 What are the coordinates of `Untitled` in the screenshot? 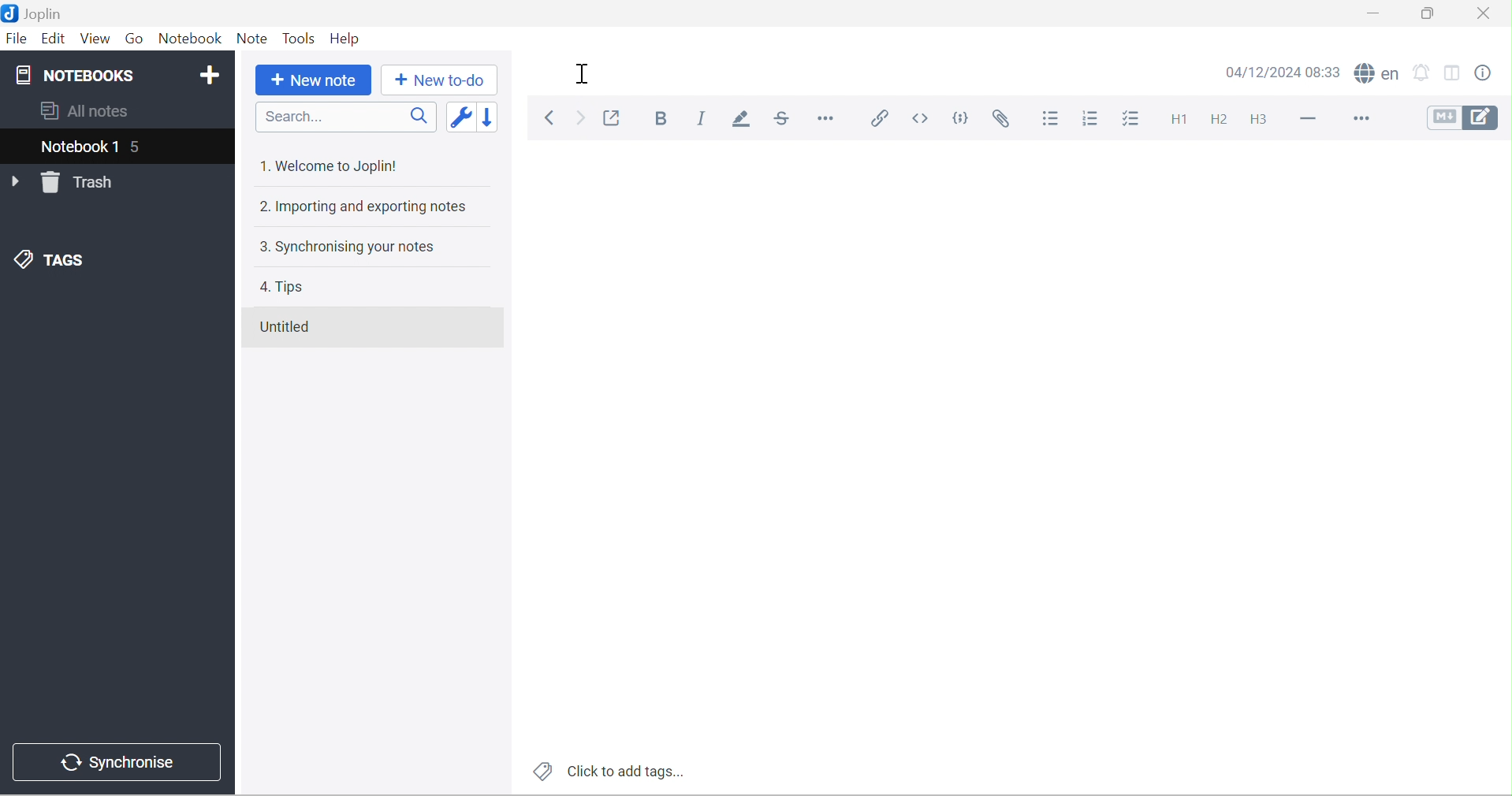 It's located at (289, 326).